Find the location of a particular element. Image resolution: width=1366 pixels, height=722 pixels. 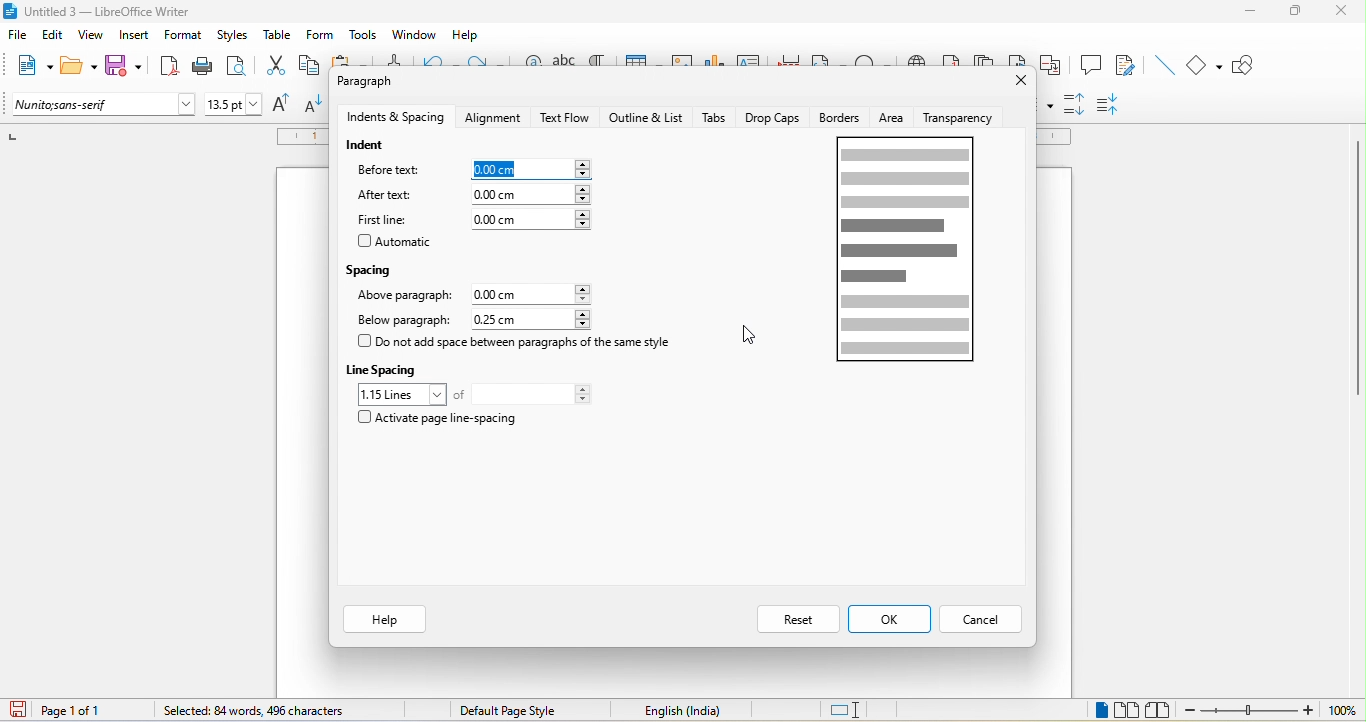

checkbox is located at coordinates (364, 240).